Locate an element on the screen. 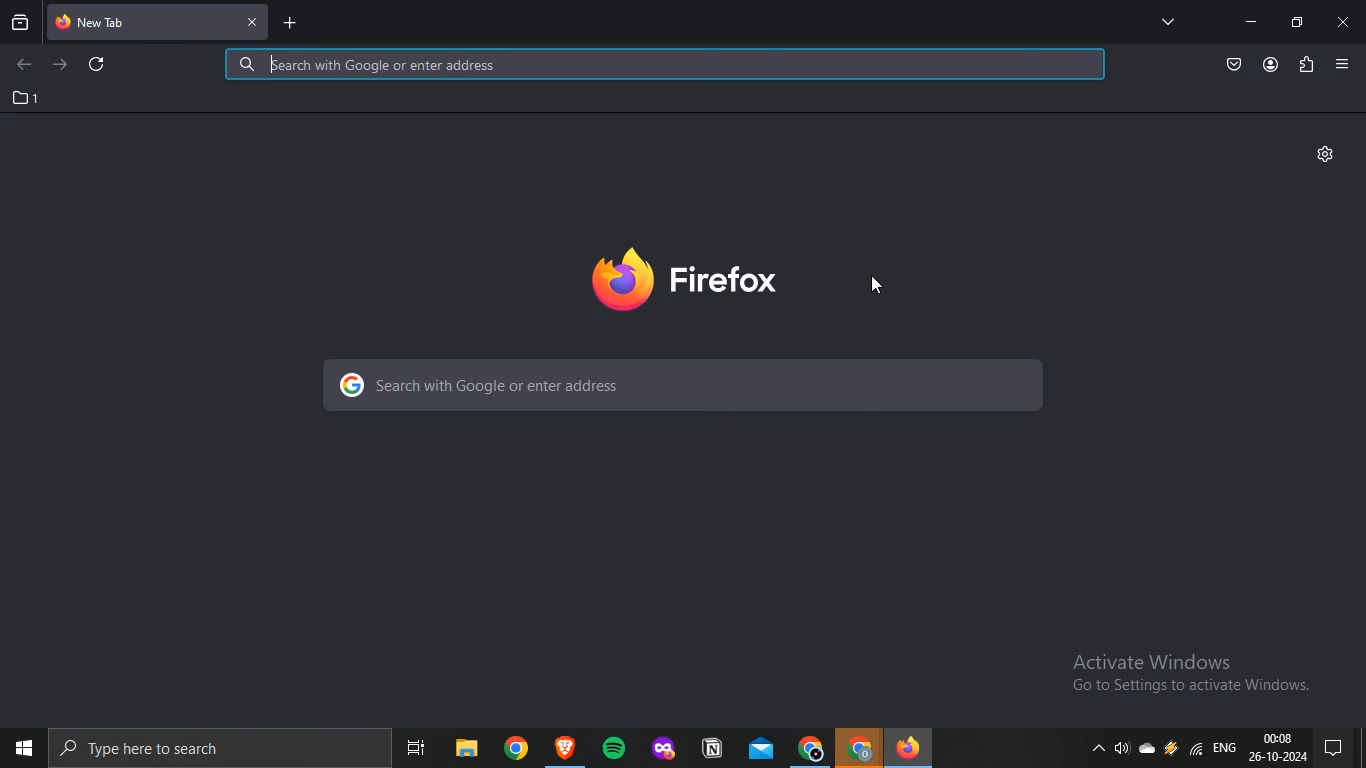 The height and width of the screenshot is (768, 1366). refresh is located at coordinates (98, 63).